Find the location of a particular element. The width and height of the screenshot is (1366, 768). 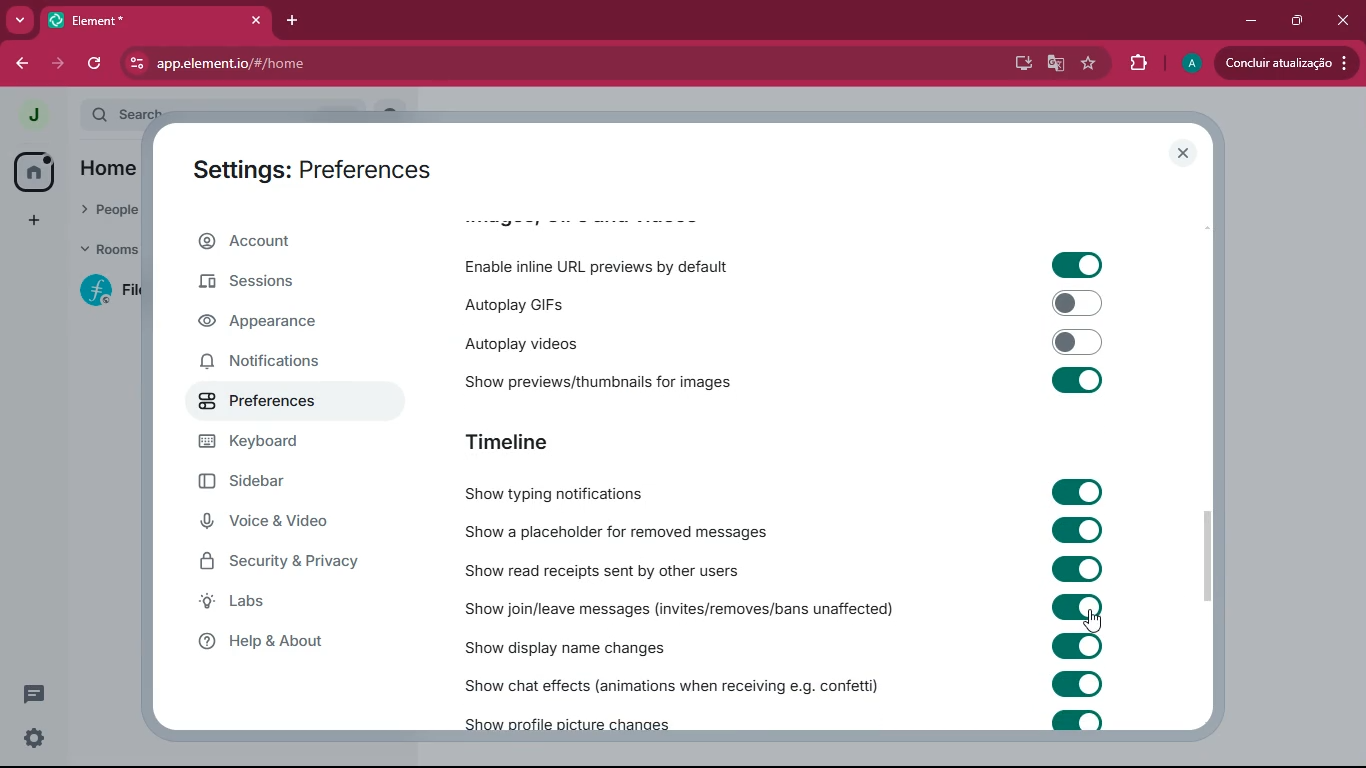

show previews/thumbnails for images is located at coordinates (592, 379).